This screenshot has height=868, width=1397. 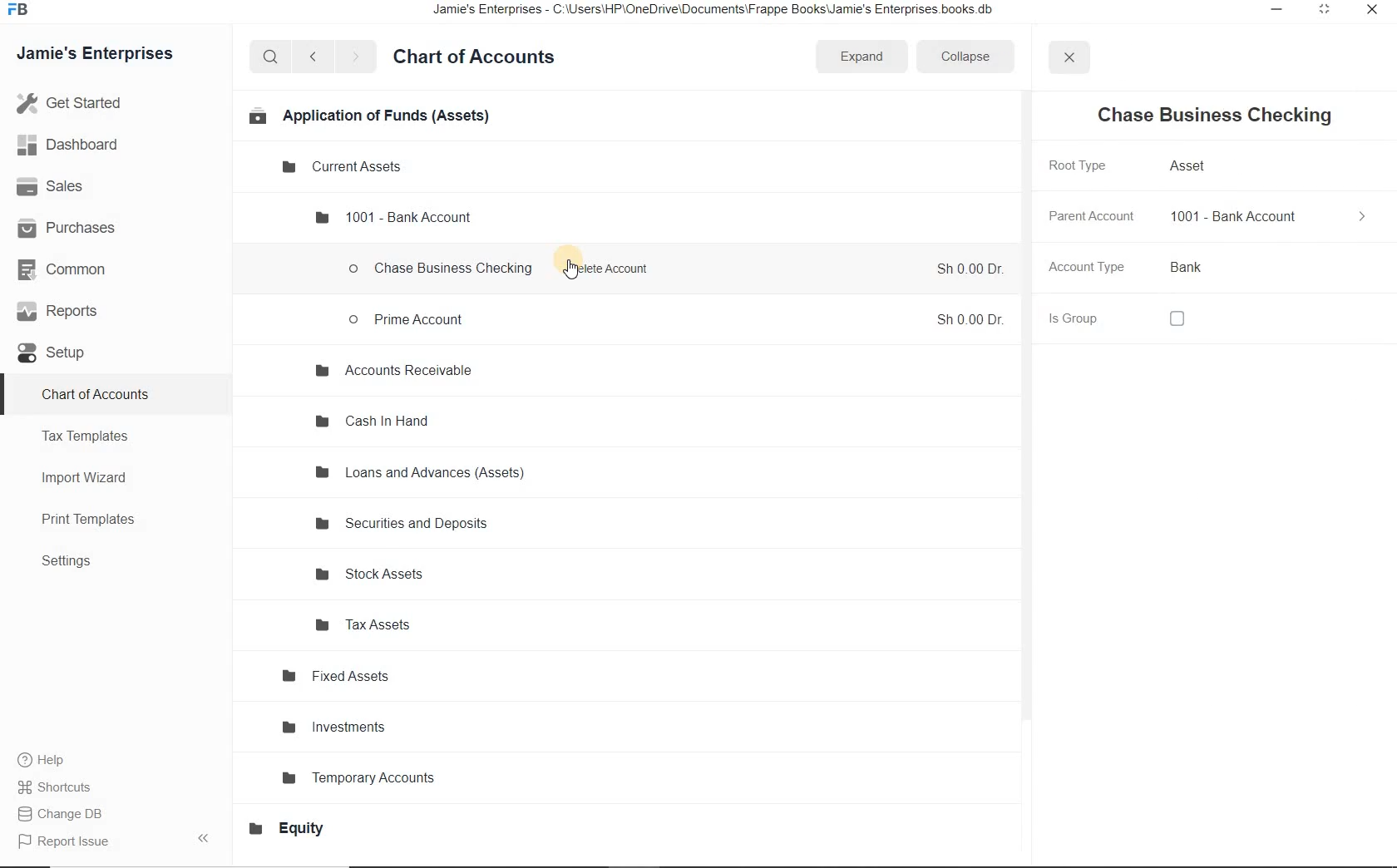 I want to click on Application of Funds (Assets), so click(x=368, y=115).